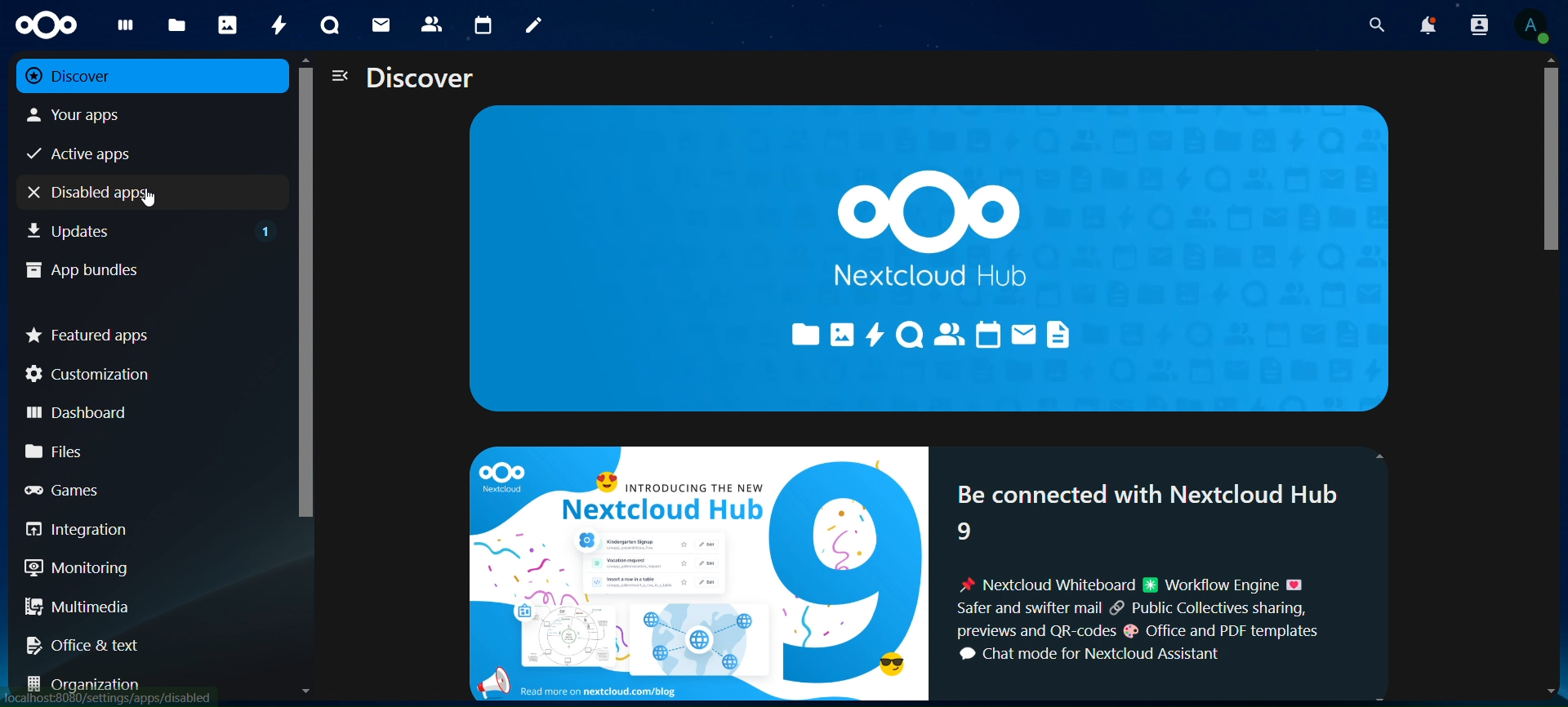 The height and width of the screenshot is (707, 1568). What do you see at coordinates (278, 24) in the screenshot?
I see `activity` at bounding box center [278, 24].